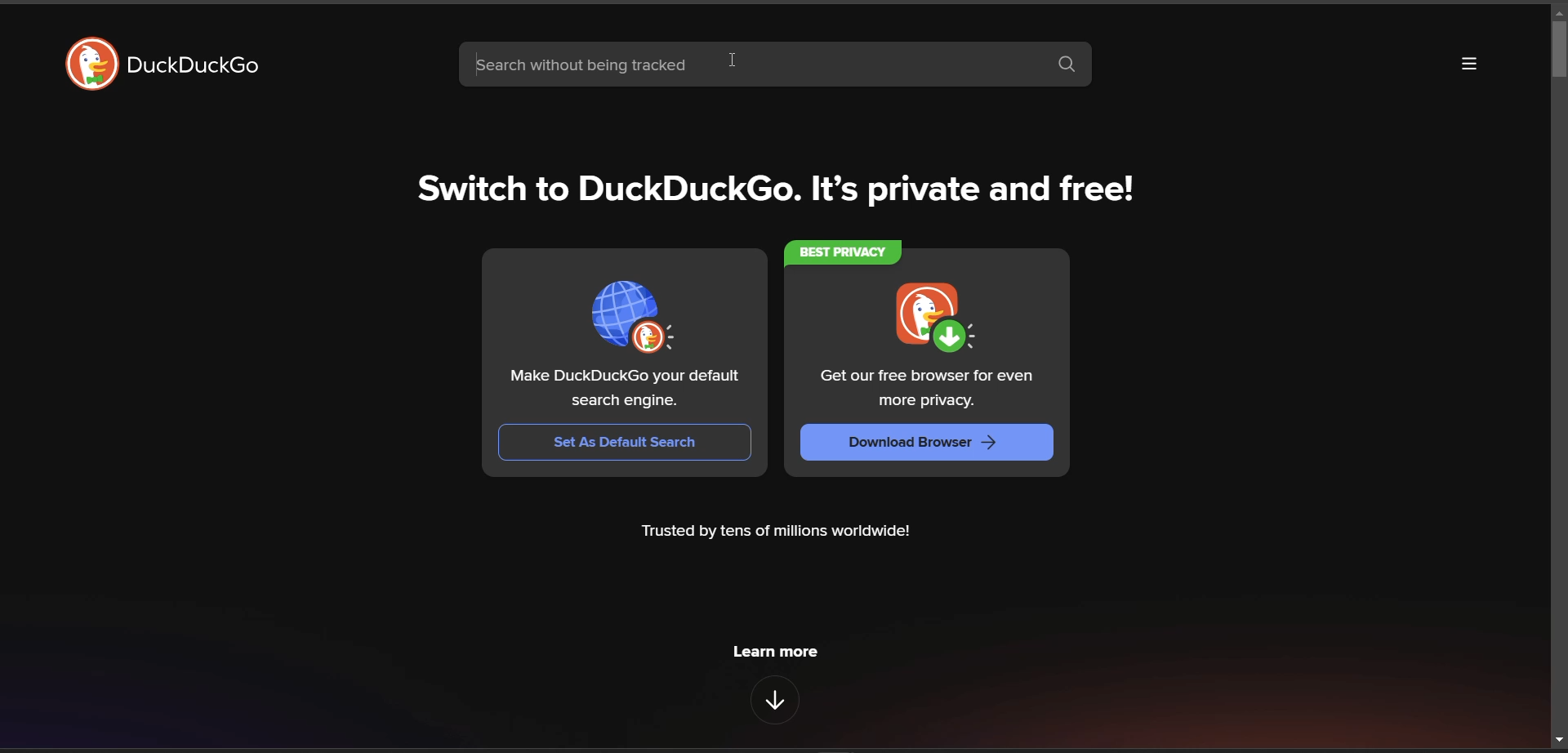 The image size is (1568, 753). What do you see at coordinates (778, 189) in the screenshot?
I see `Switch to DuckDuckGo. It’s private and free!` at bounding box center [778, 189].